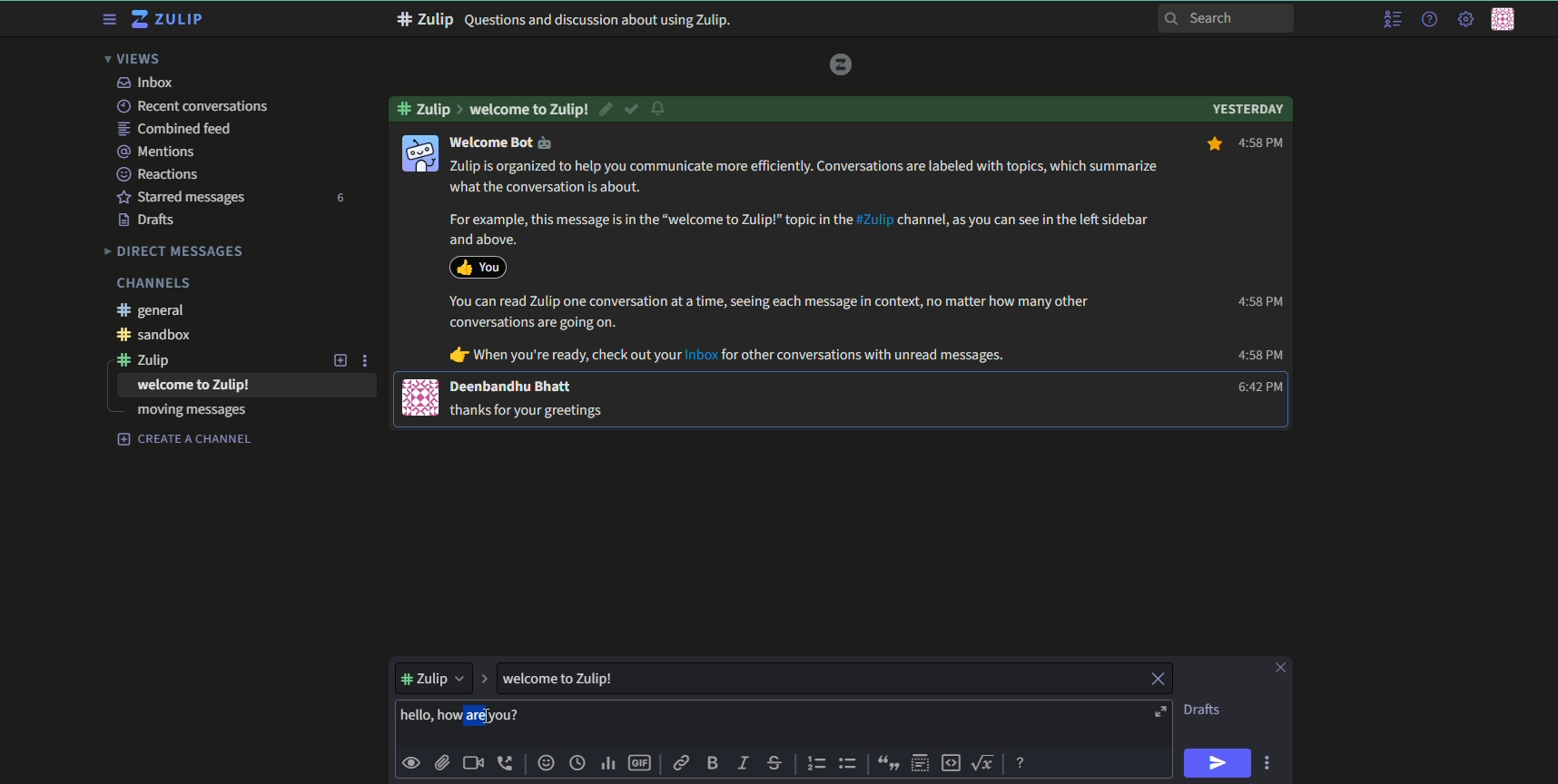 Image resolution: width=1558 pixels, height=784 pixels. What do you see at coordinates (921, 763) in the screenshot?
I see `spoiler` at bounding box center [921, 763].